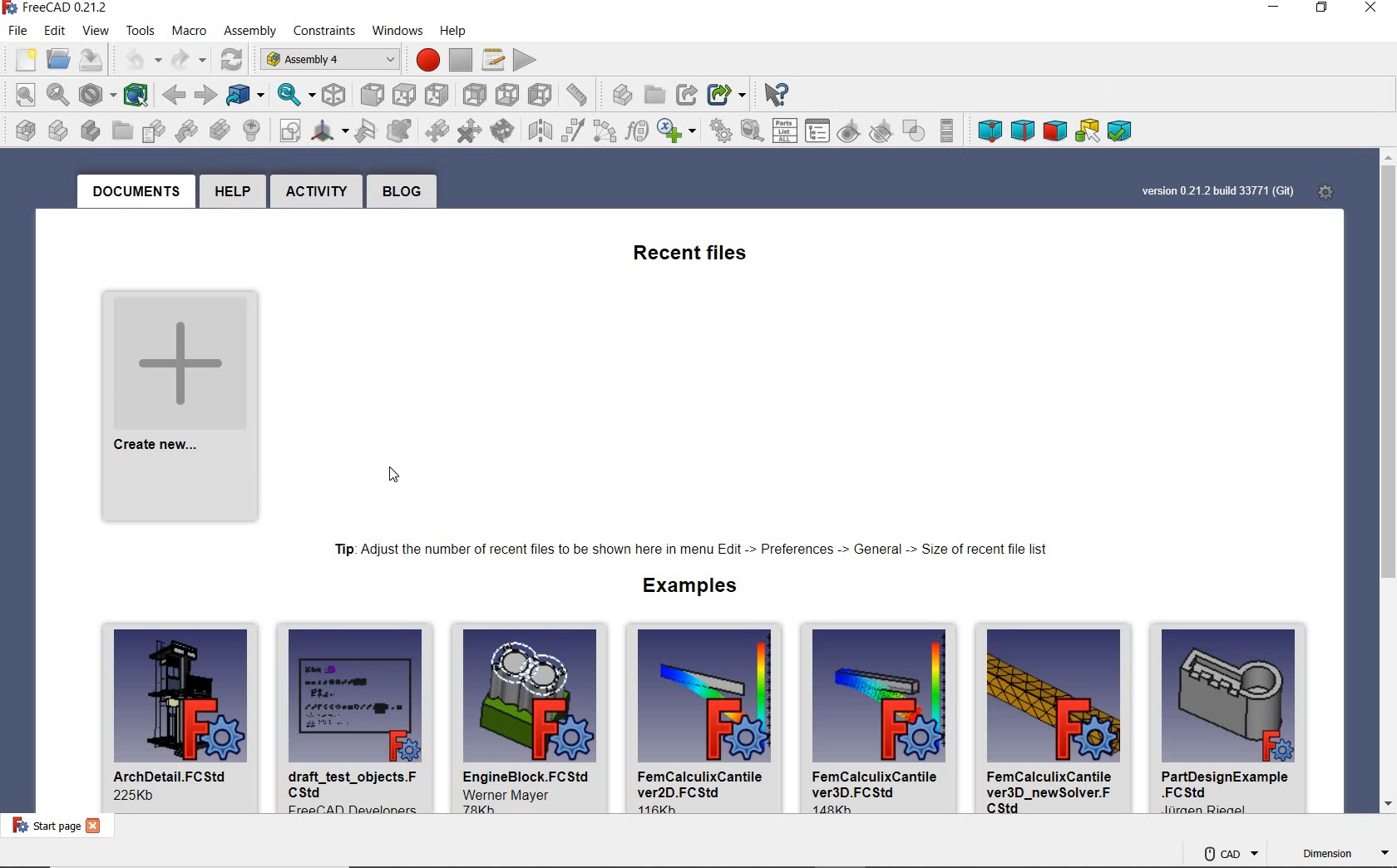 The height and width of the screenshot is (868, 1397). Describe the element at coordinates (387, 479) in the screenshot. I see `cursor` at that location.